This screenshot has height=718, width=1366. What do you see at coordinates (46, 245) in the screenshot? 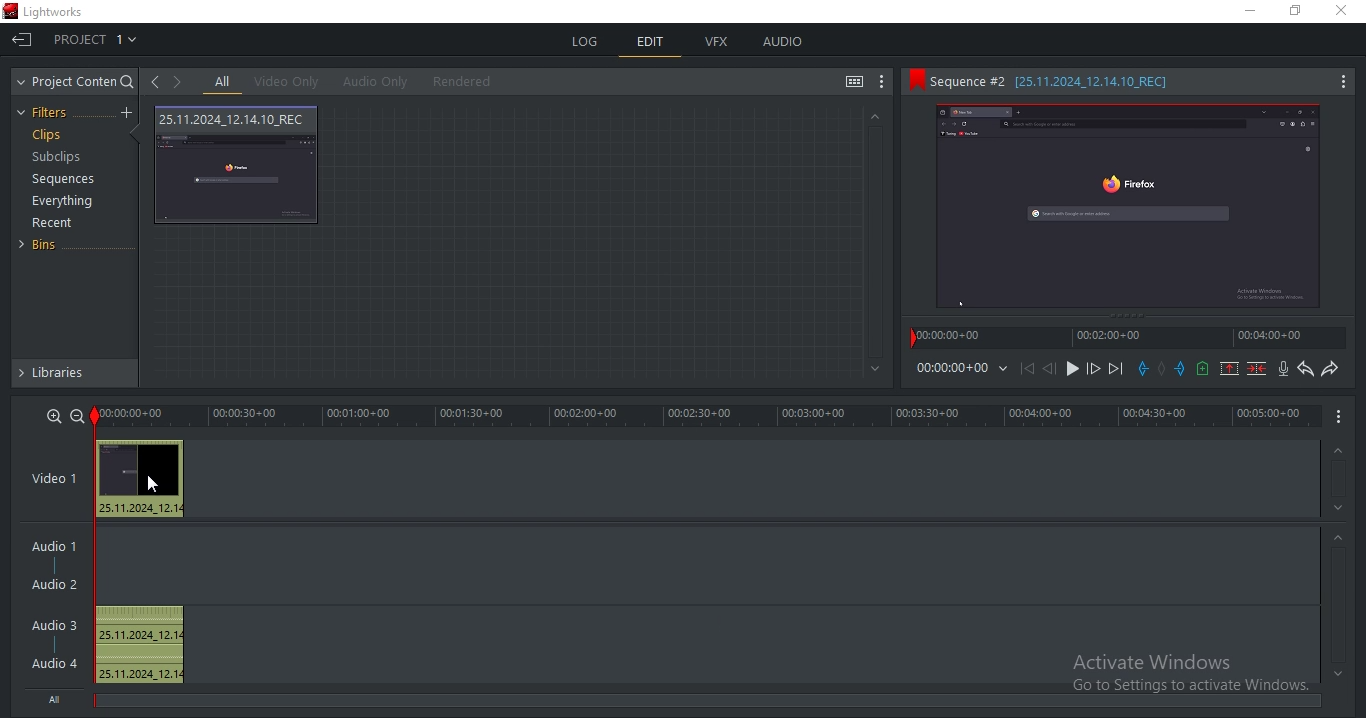
I see `bins` at bounding box center [46, 245].